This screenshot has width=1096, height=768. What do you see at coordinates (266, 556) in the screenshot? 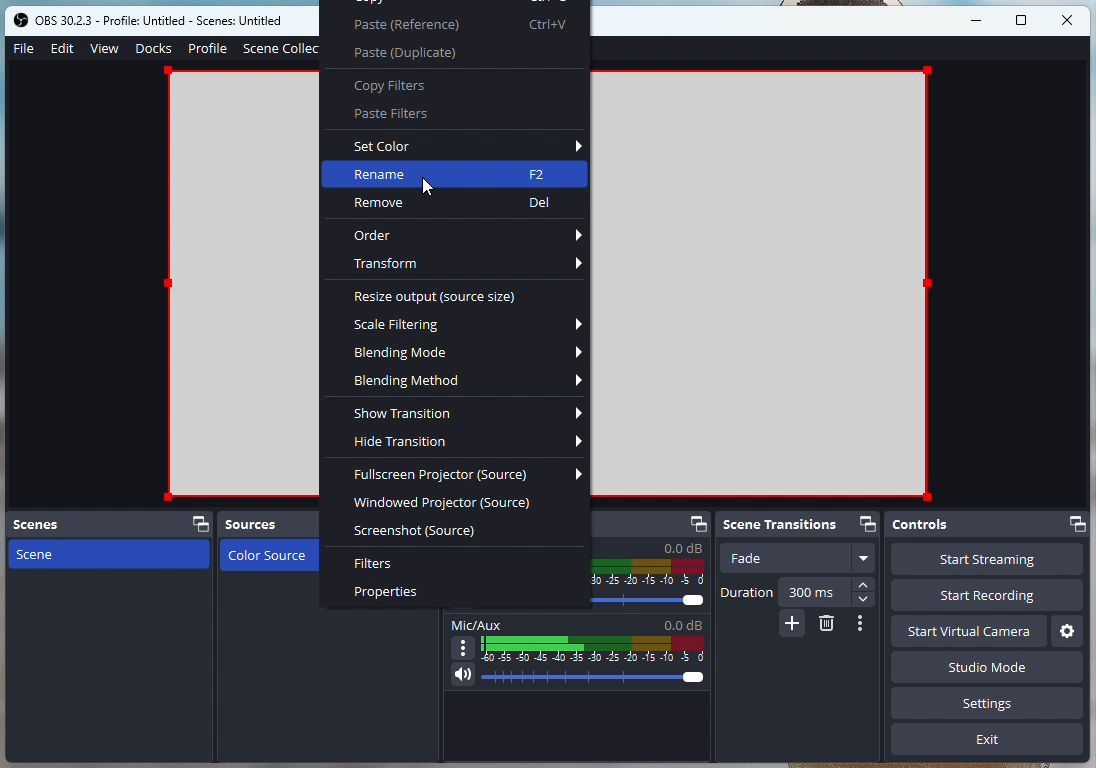
I see `Color Source` at bounding box center [266, 556].